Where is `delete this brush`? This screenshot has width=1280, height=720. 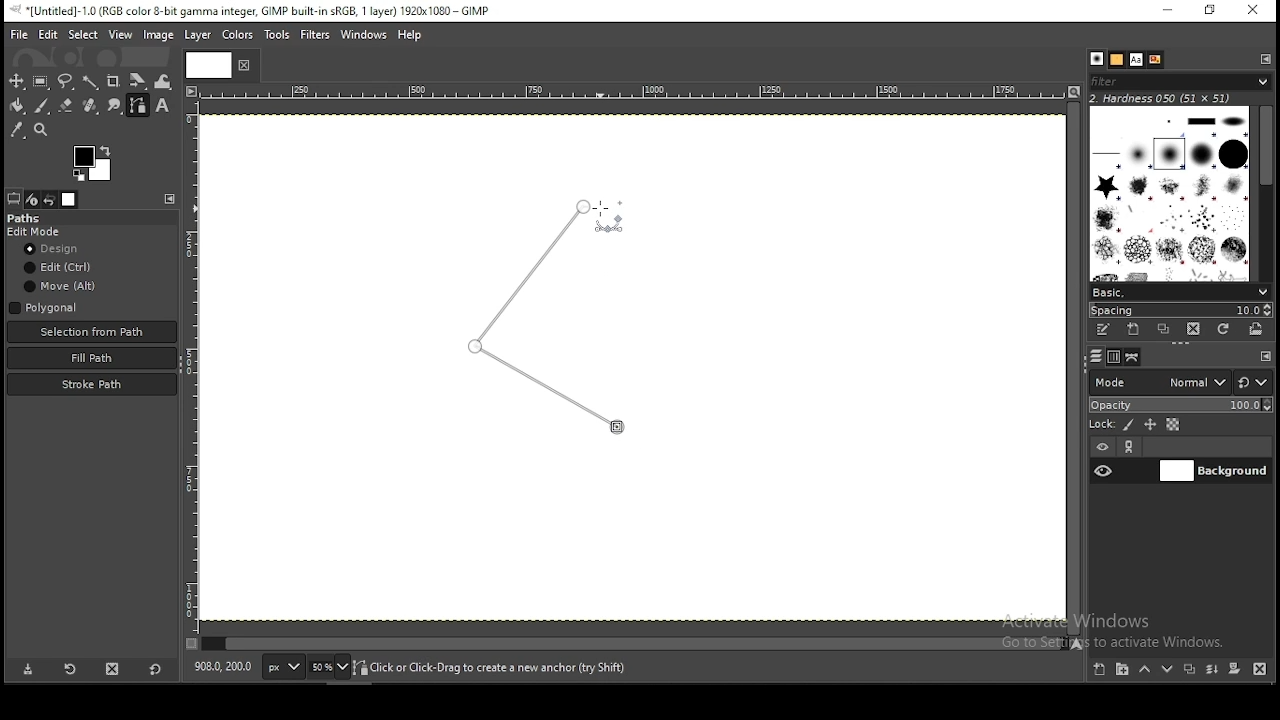 delete this brush is located at coordinates (1194, 329).